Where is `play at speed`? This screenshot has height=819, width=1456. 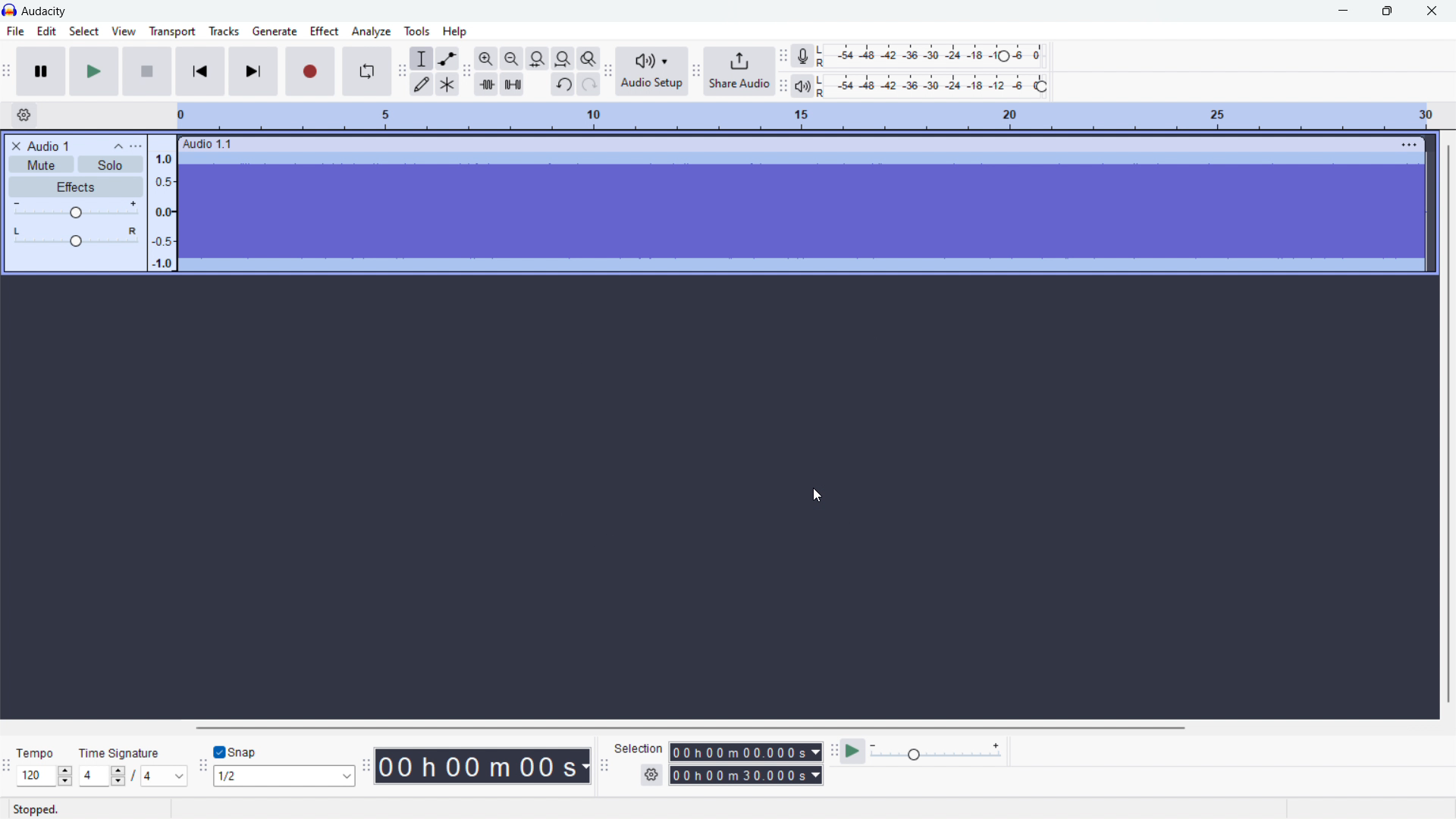
play at speed is located at coordinates (852, 751).